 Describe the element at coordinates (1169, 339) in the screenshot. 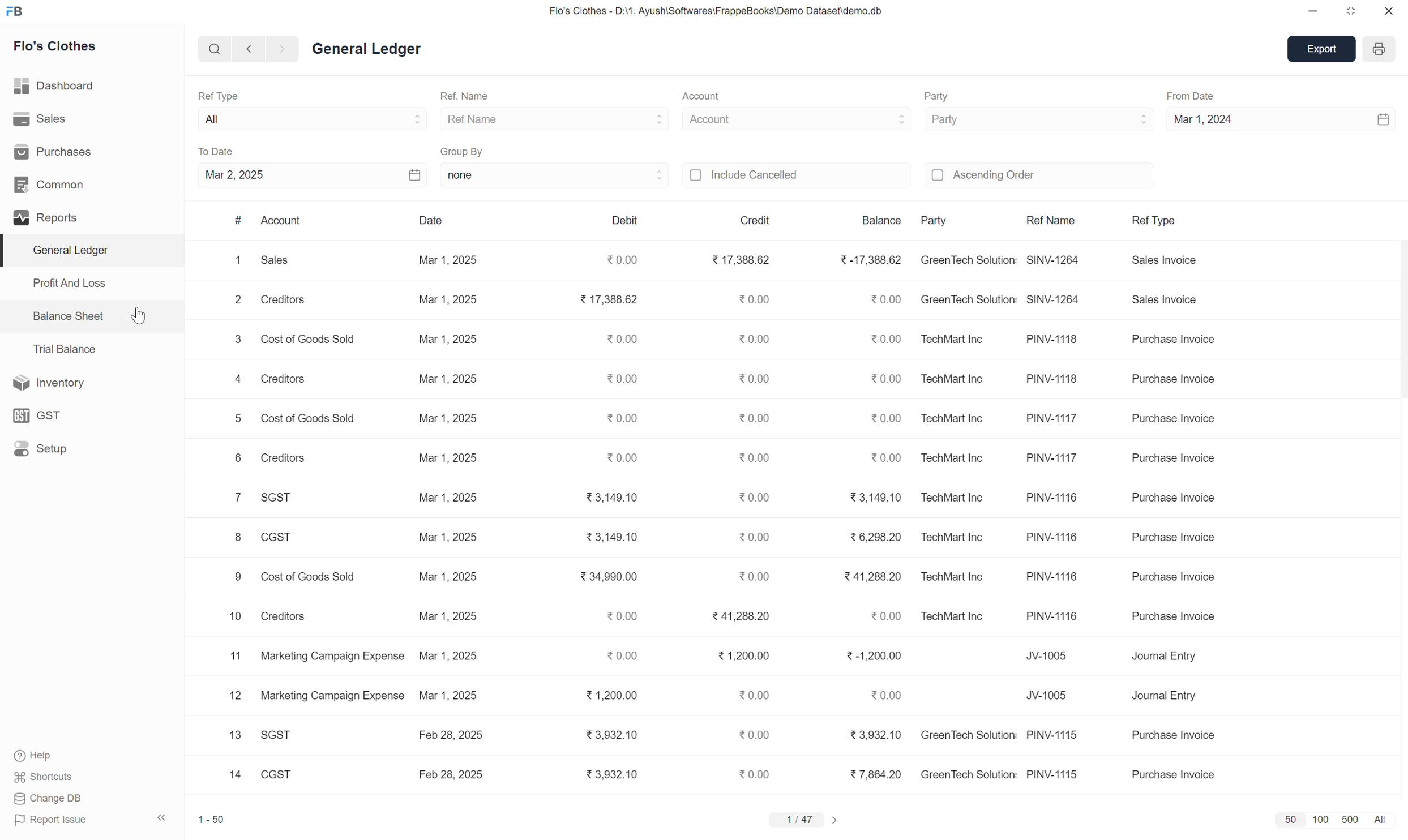

I see `Purchase invoice` at that location.